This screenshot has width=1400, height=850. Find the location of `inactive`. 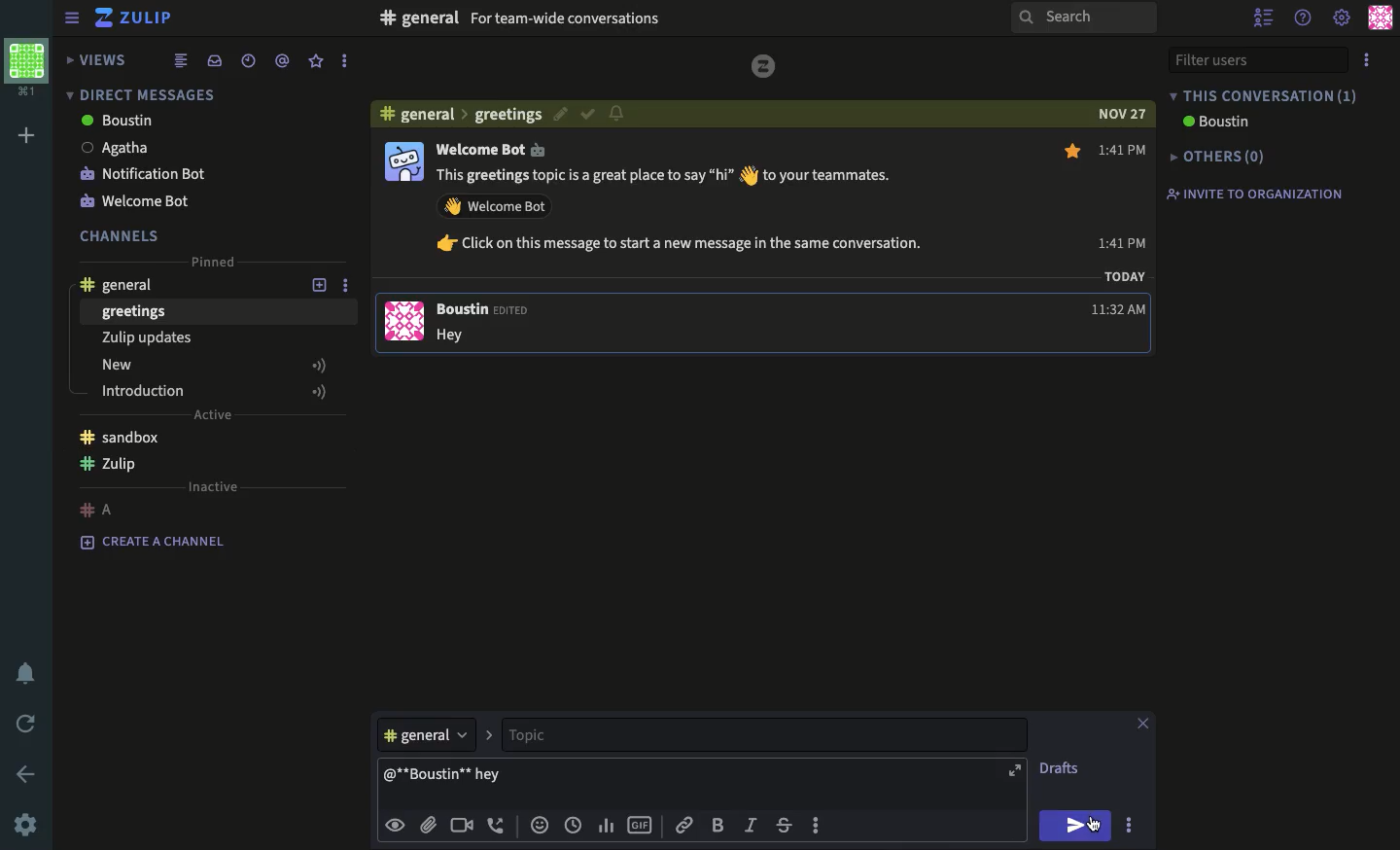

inactive is located at coordinates (214, 486).